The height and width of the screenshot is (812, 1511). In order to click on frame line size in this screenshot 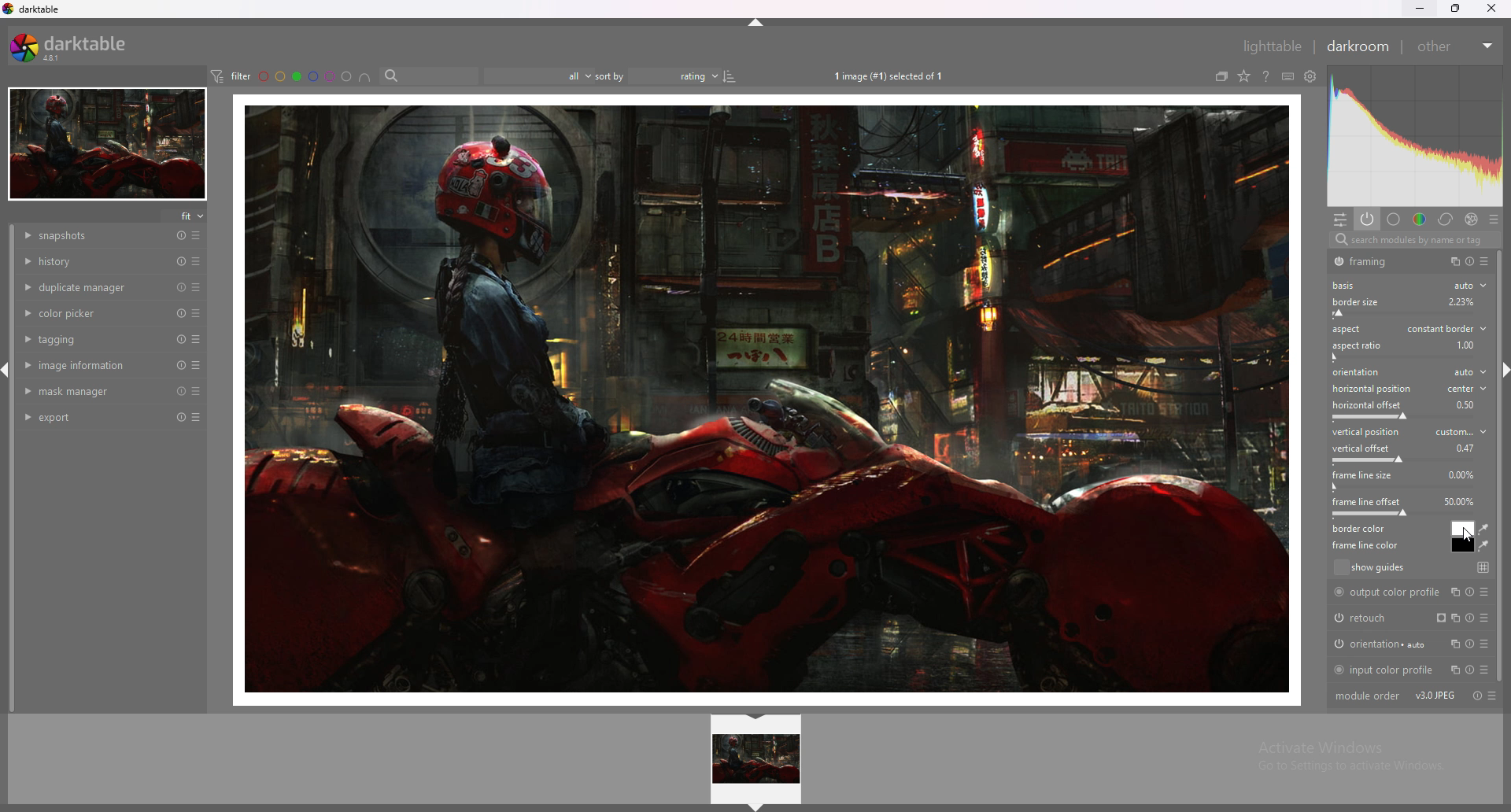, I will do `click(1362, 475)`.